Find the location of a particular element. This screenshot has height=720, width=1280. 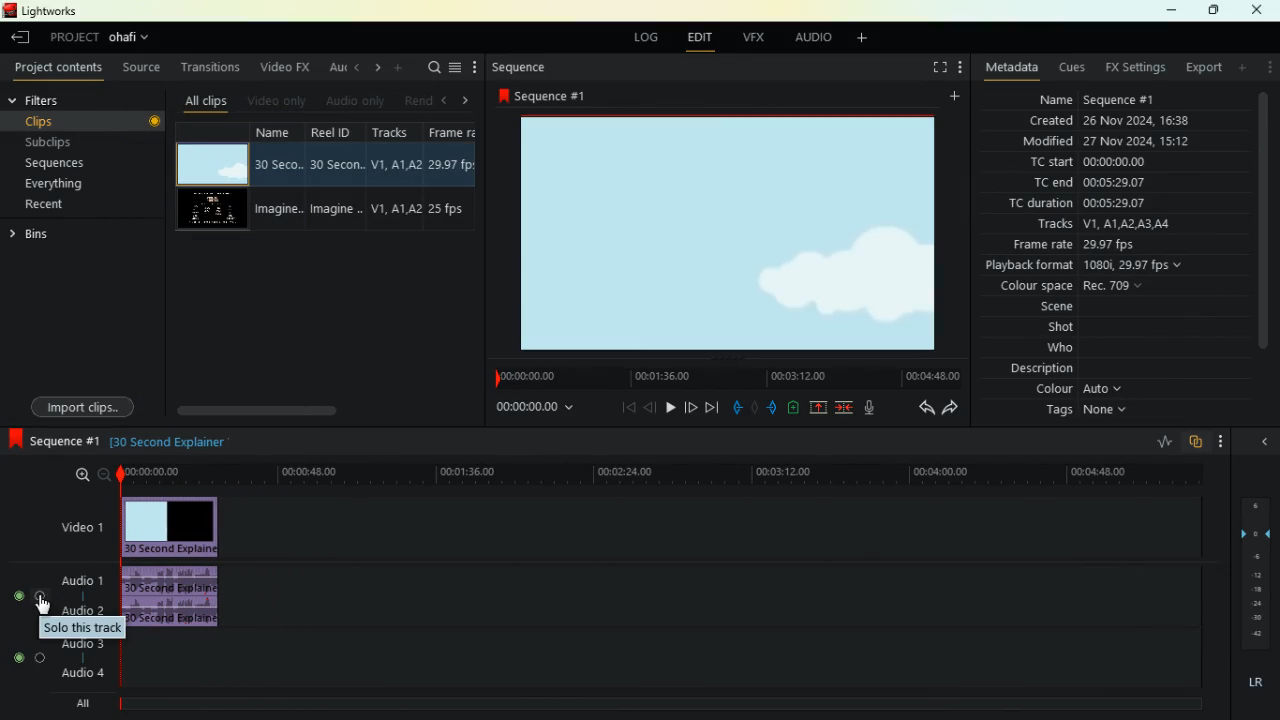

layers is located at coordinates (1261, 573).